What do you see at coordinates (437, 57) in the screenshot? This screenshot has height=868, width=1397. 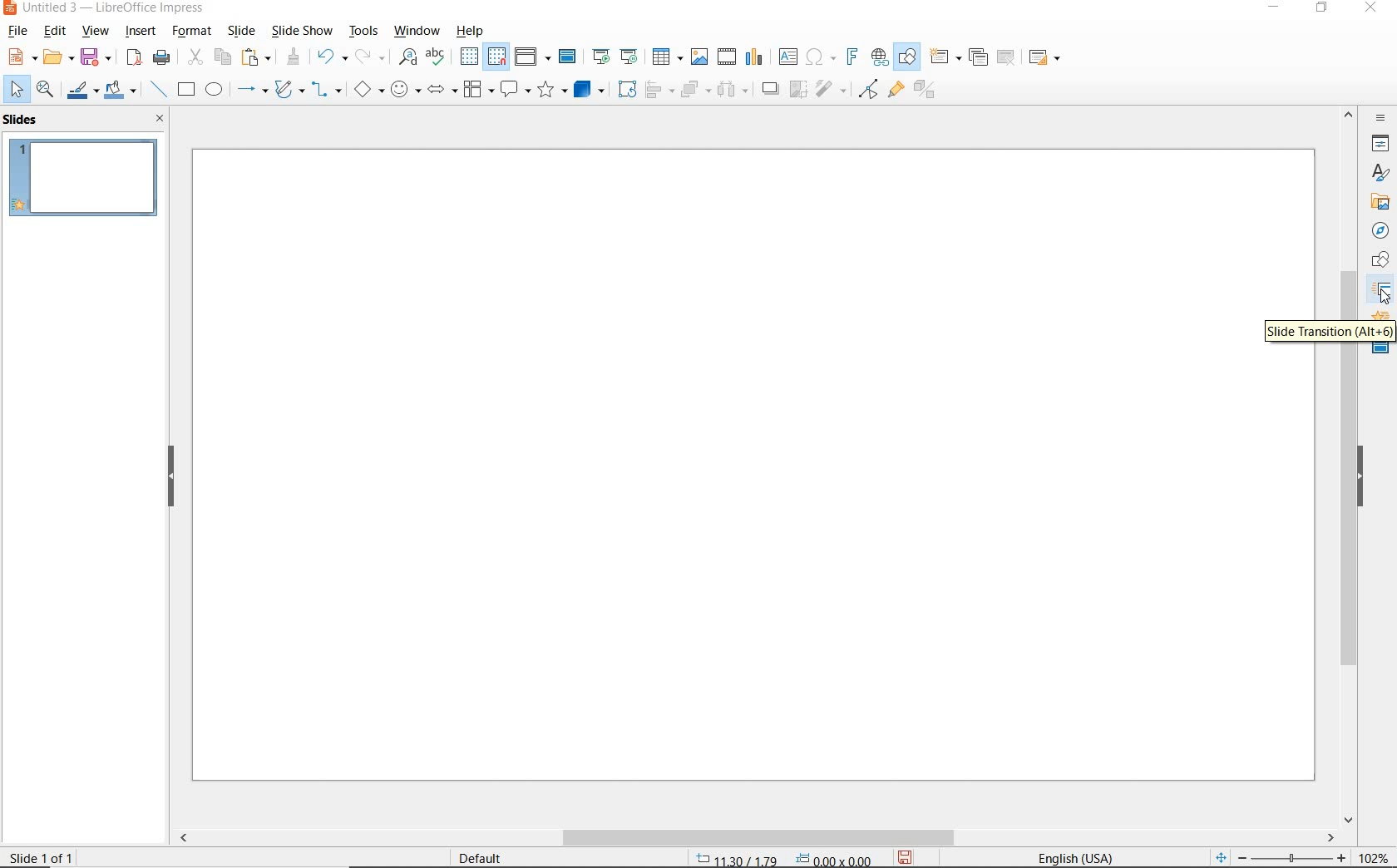 I see `SPELLING` at bounding box center [437, 57].